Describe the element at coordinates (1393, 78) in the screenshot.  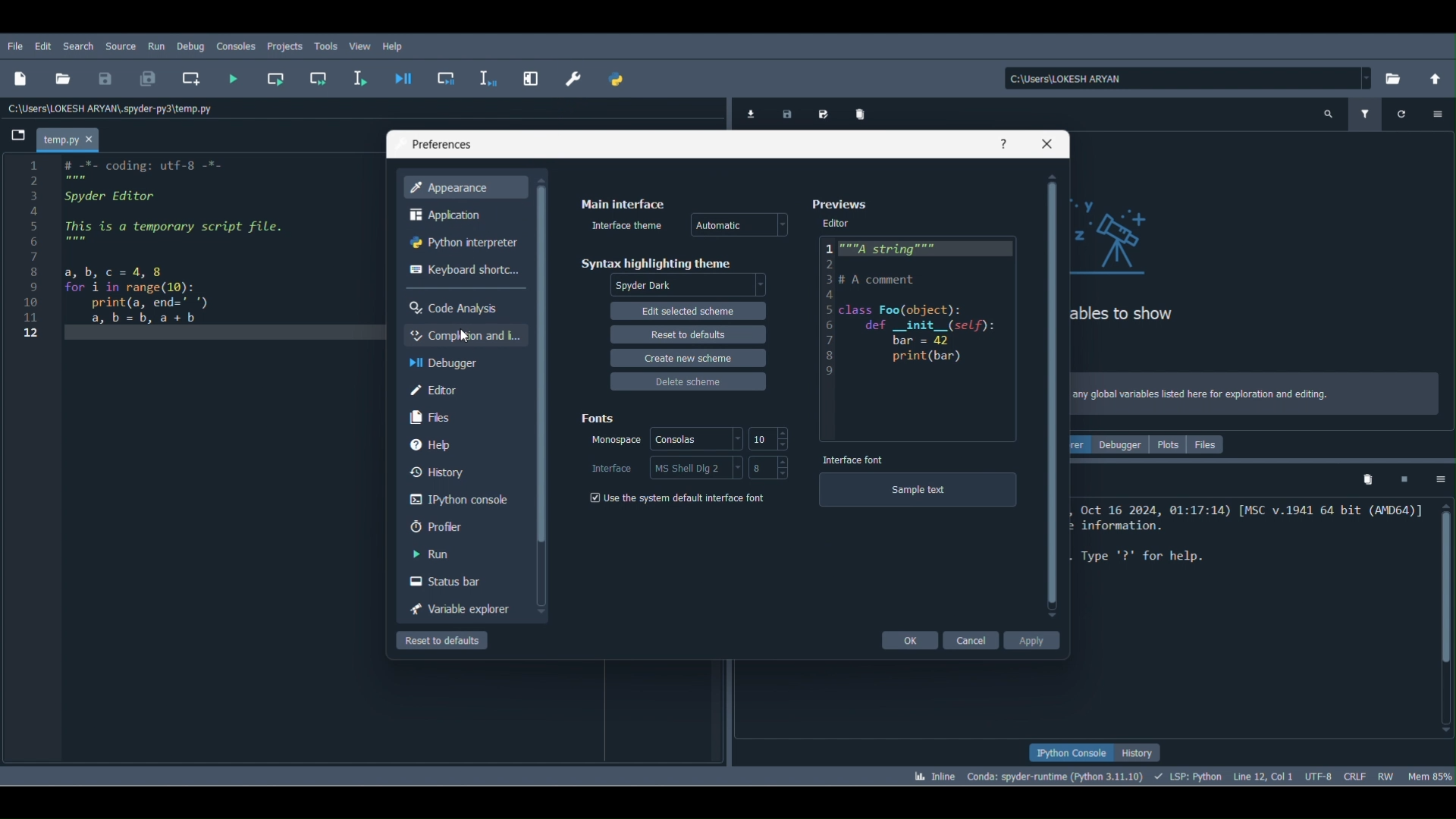
I see `Browse a working directory` at that location.